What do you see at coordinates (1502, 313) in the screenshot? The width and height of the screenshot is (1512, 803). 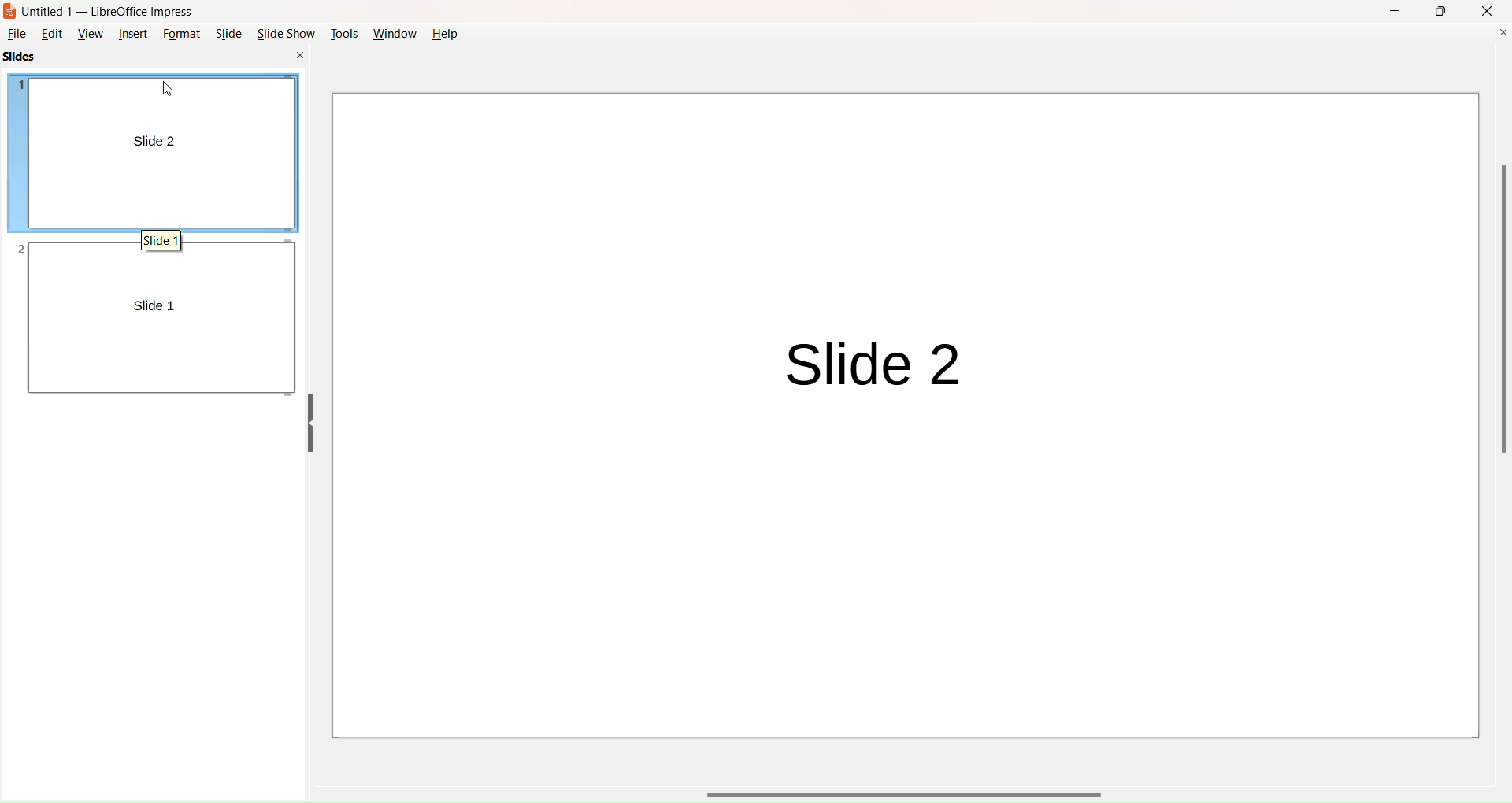 I see `vertical scroll bar` at bounding box center [1502, 313].